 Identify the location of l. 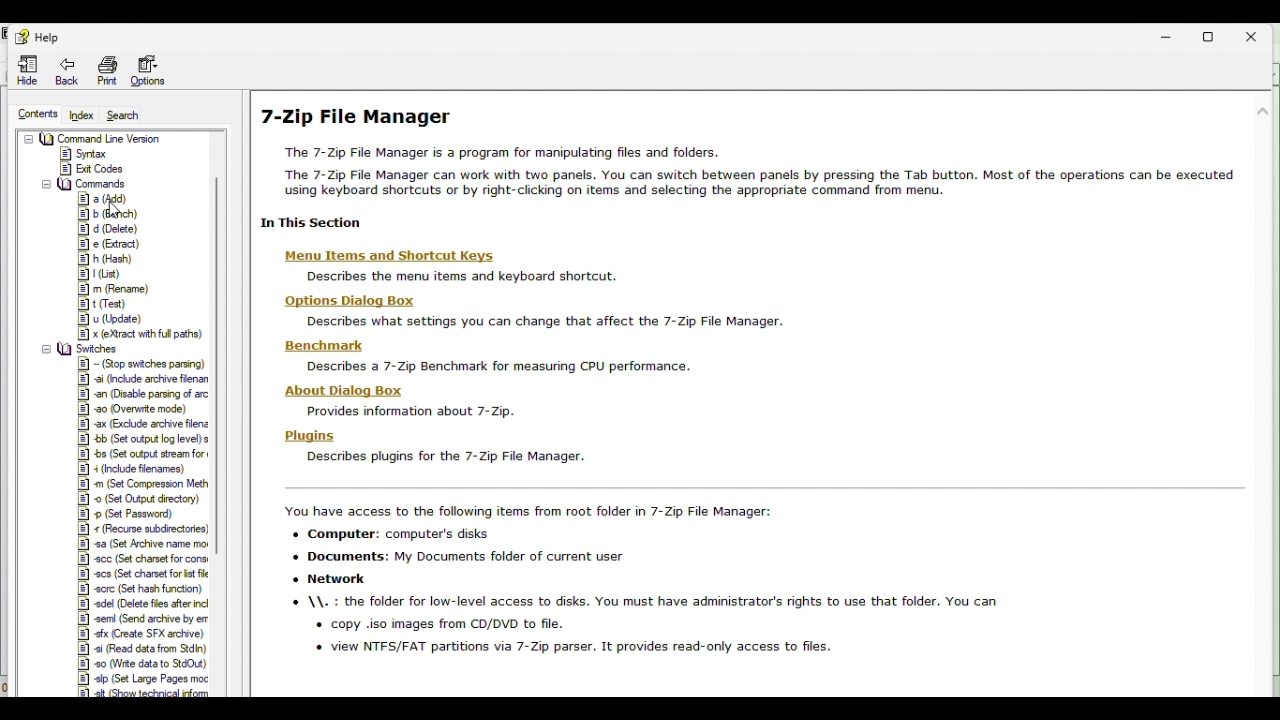
(104, 274).